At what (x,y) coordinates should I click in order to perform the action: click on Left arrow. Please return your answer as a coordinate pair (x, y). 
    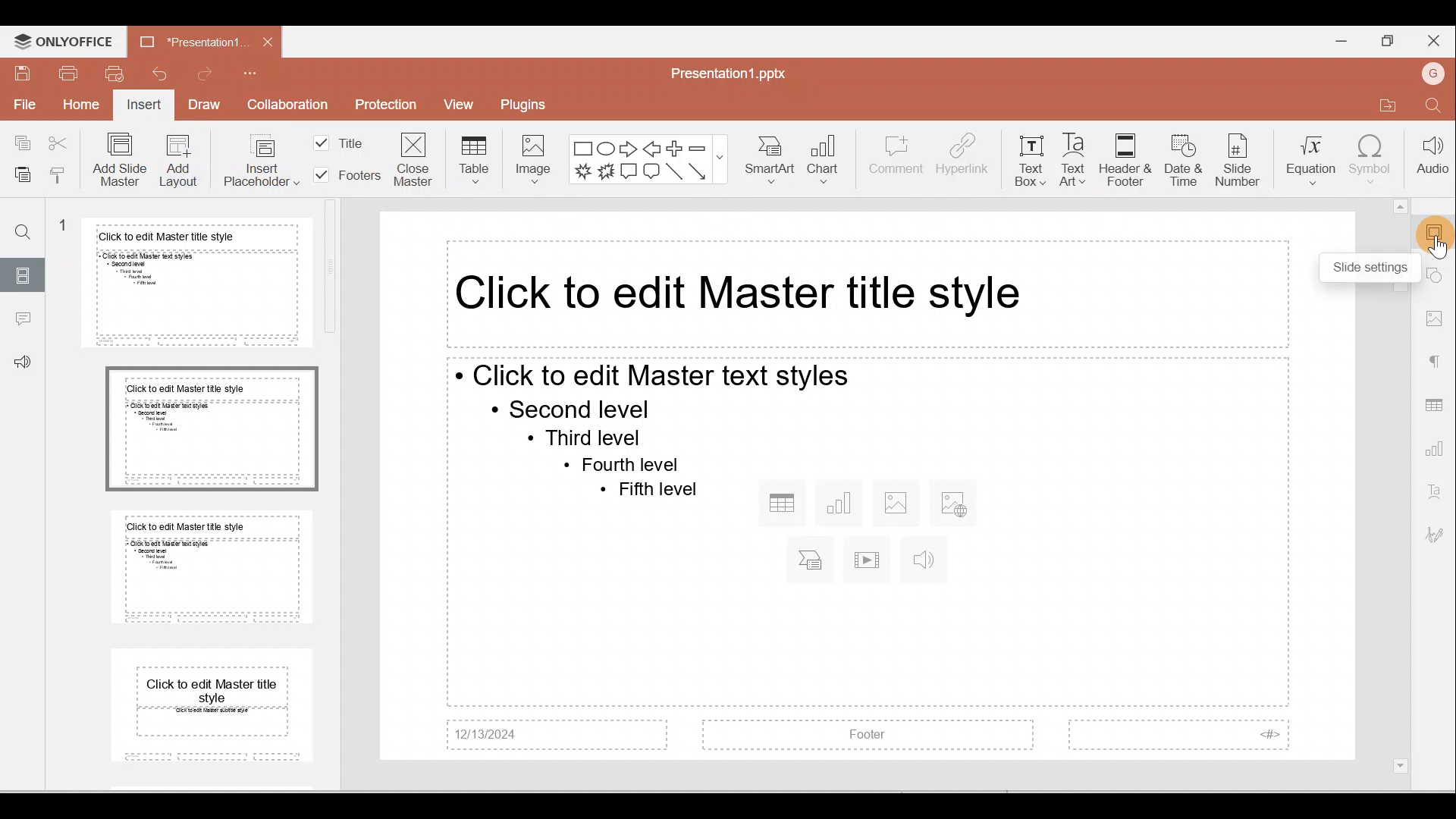
    Looking at the image, I should click on (654, 147).